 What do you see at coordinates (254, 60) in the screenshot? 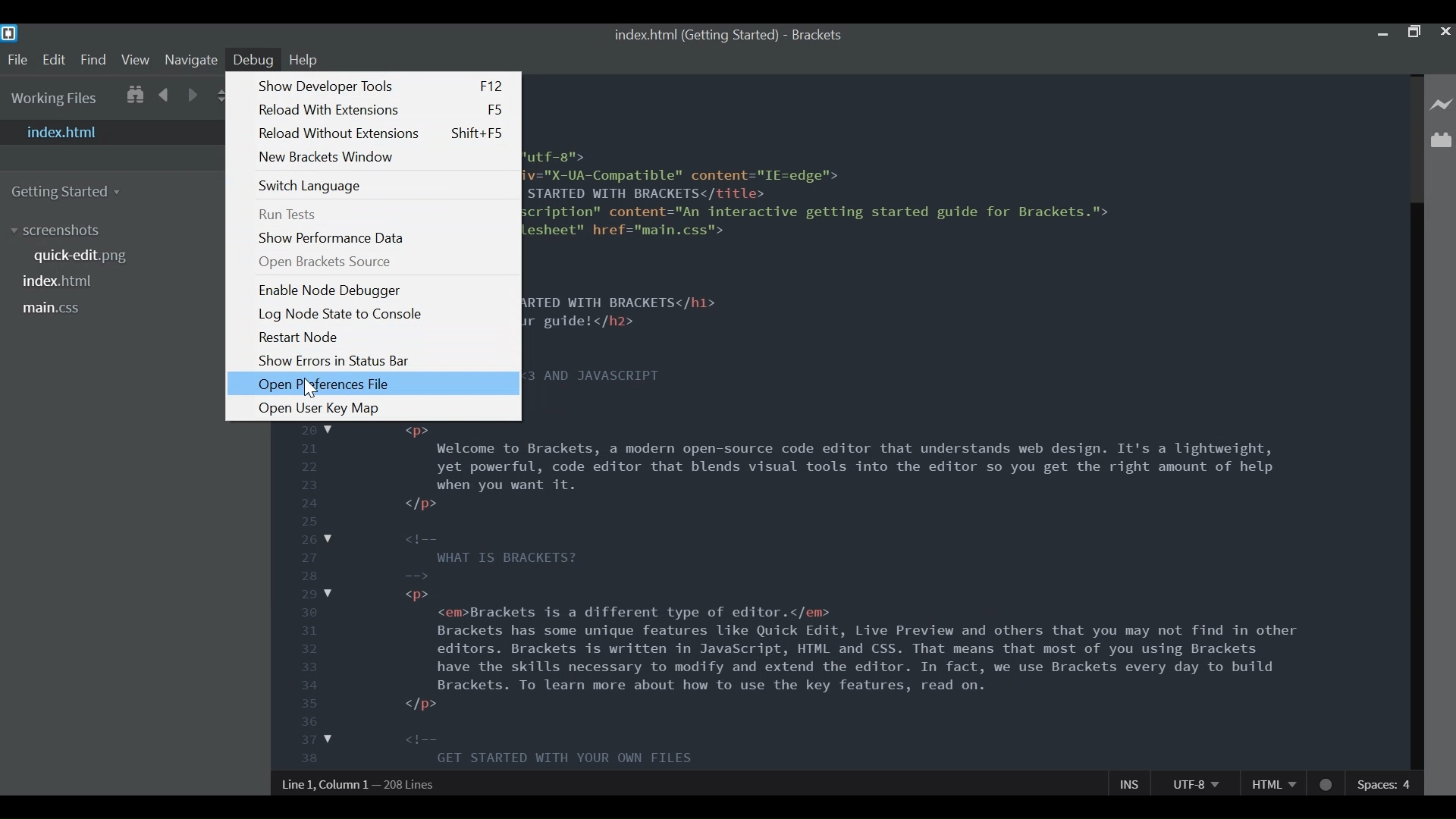
I see `Debug` at bounding box center [254, 60].